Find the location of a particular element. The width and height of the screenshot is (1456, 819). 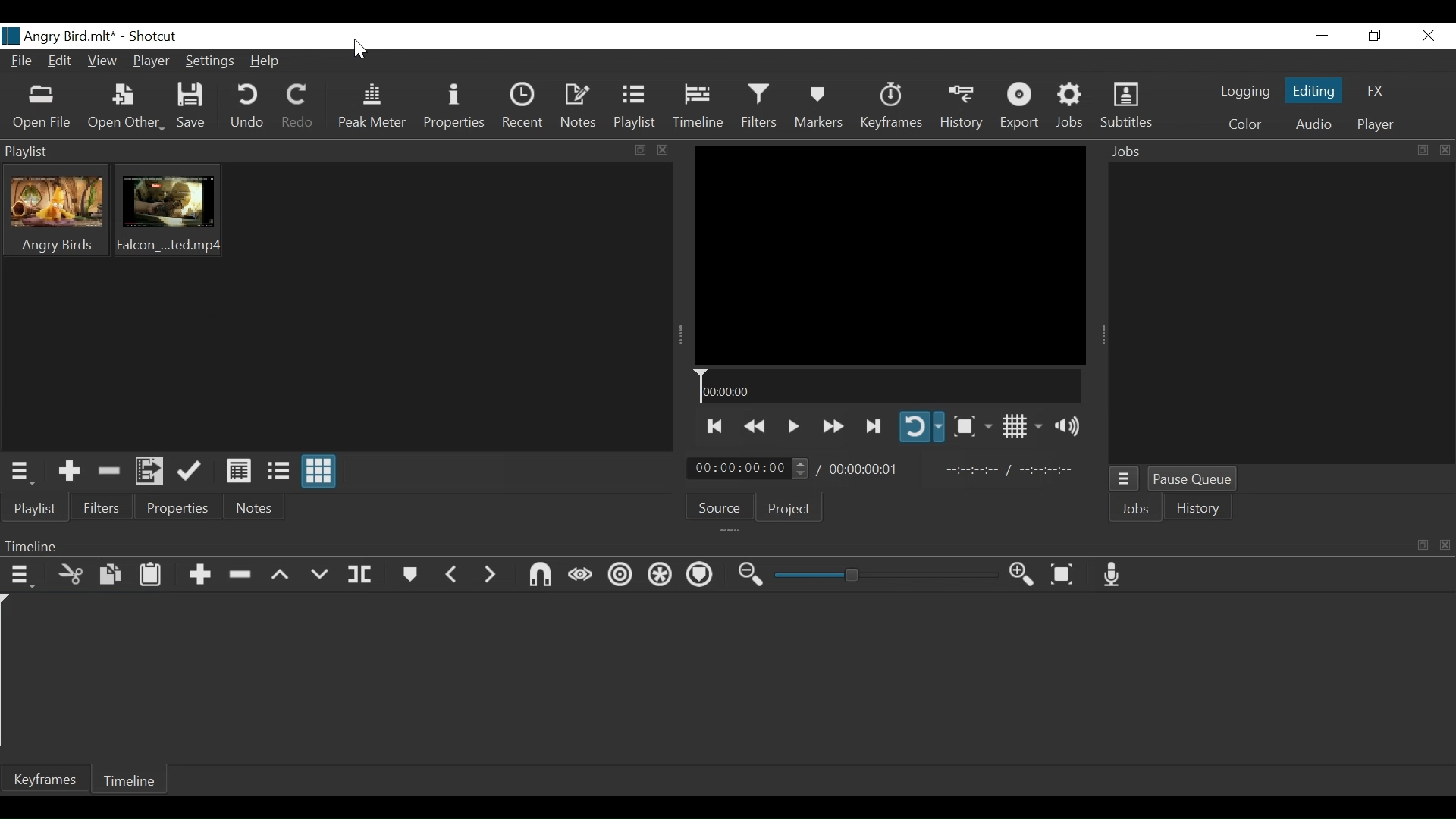

Keyframe is located at coordinates (890, 108).